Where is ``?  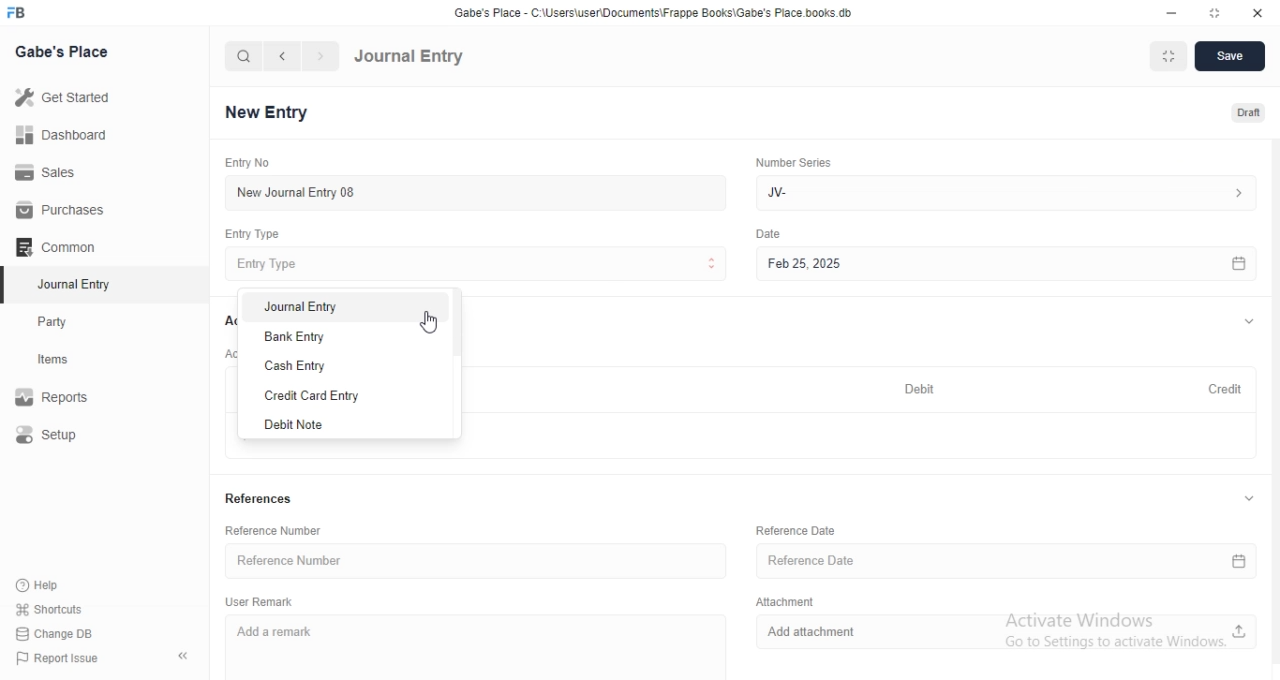  is located at coordinates (768, 234).